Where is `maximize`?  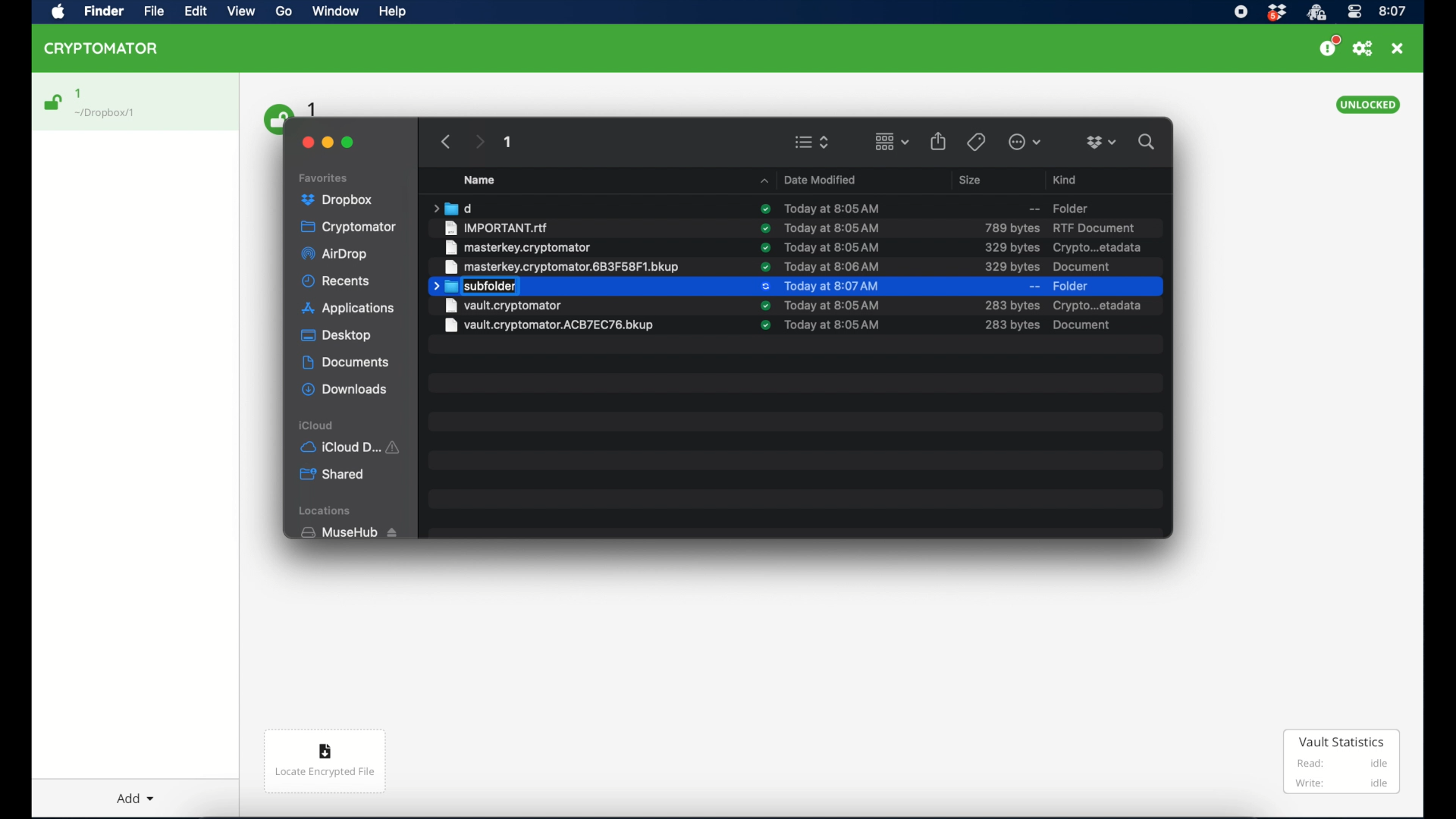 maximize is located at coordinates (349, 143).